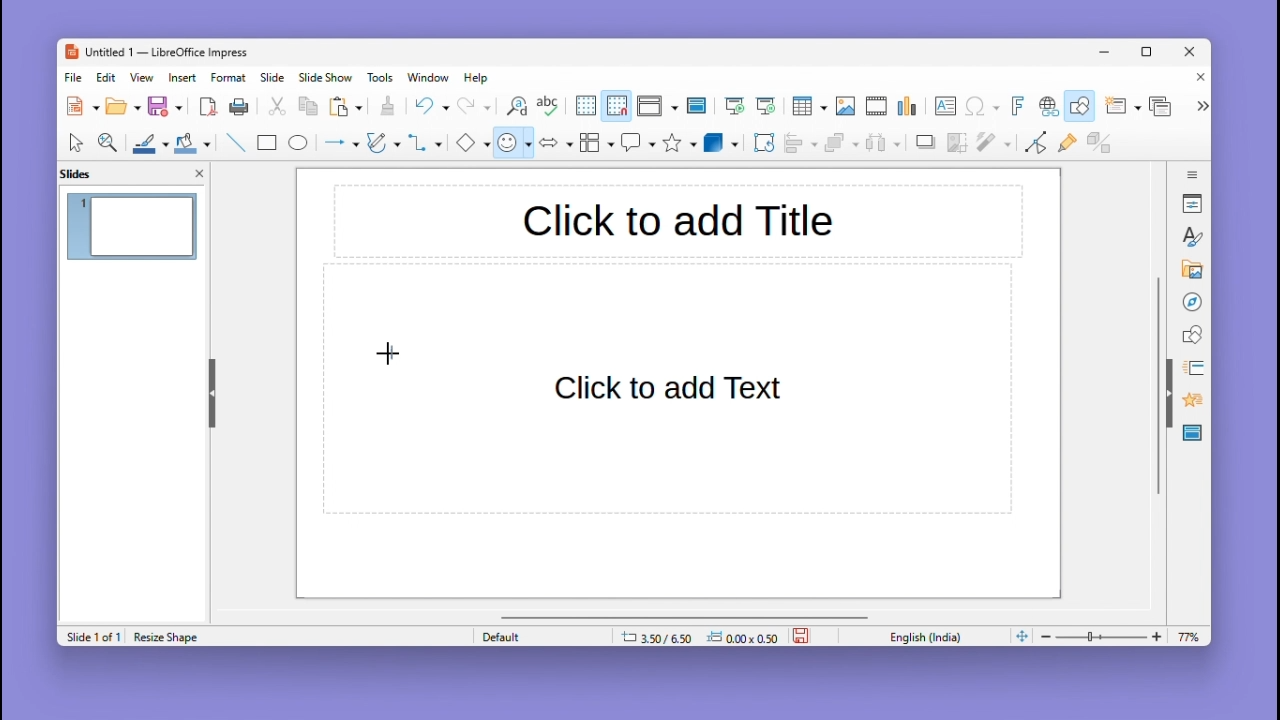 The height and width of the screenshot is (720, 1280). What do you see at coordinates (383, 77) in the screenshot?
I see `Tools` at bounding box center [383, 77].